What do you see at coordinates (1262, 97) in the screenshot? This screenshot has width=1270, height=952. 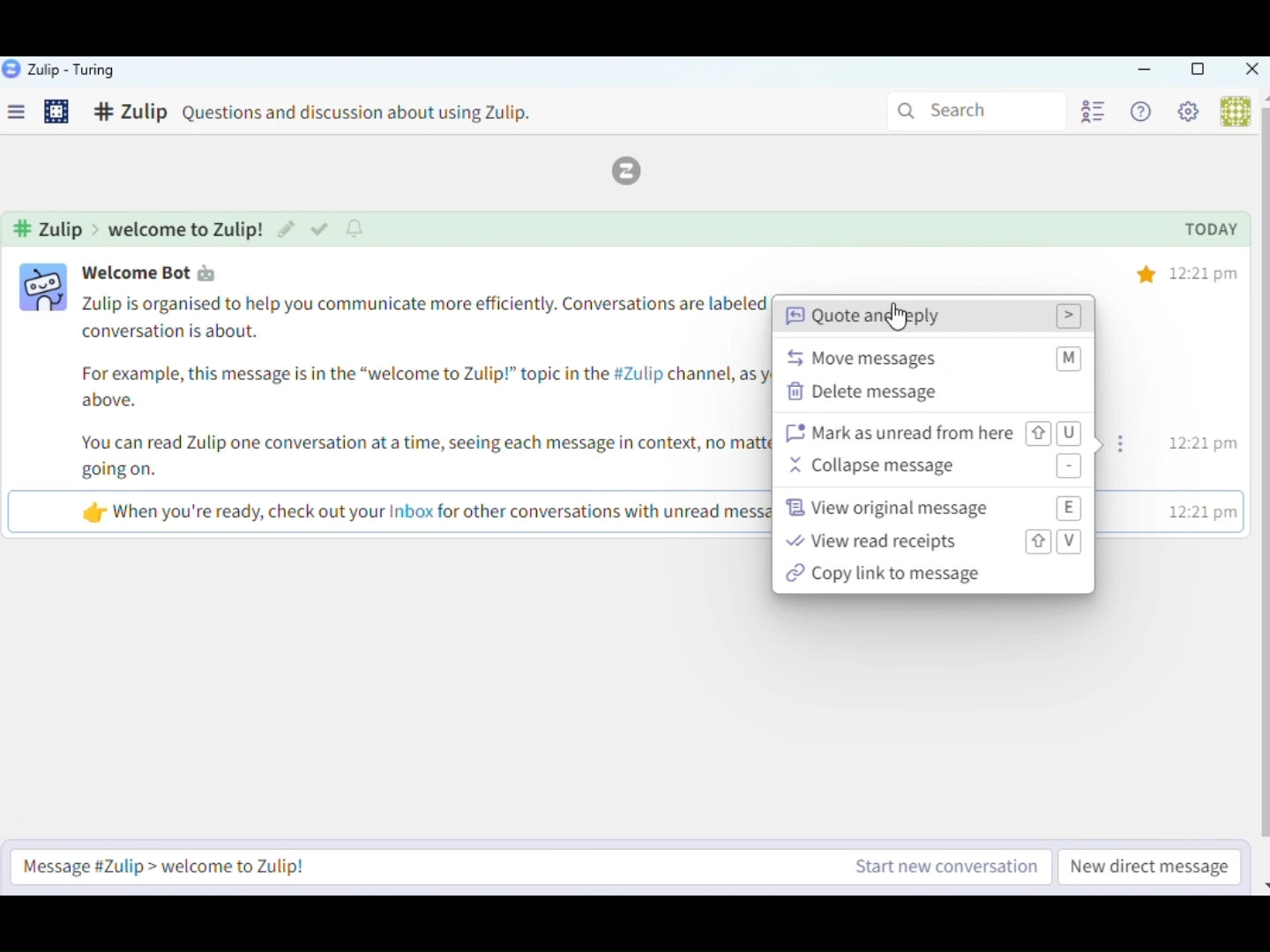 I see `Up` at bounding box center [1262, 97].